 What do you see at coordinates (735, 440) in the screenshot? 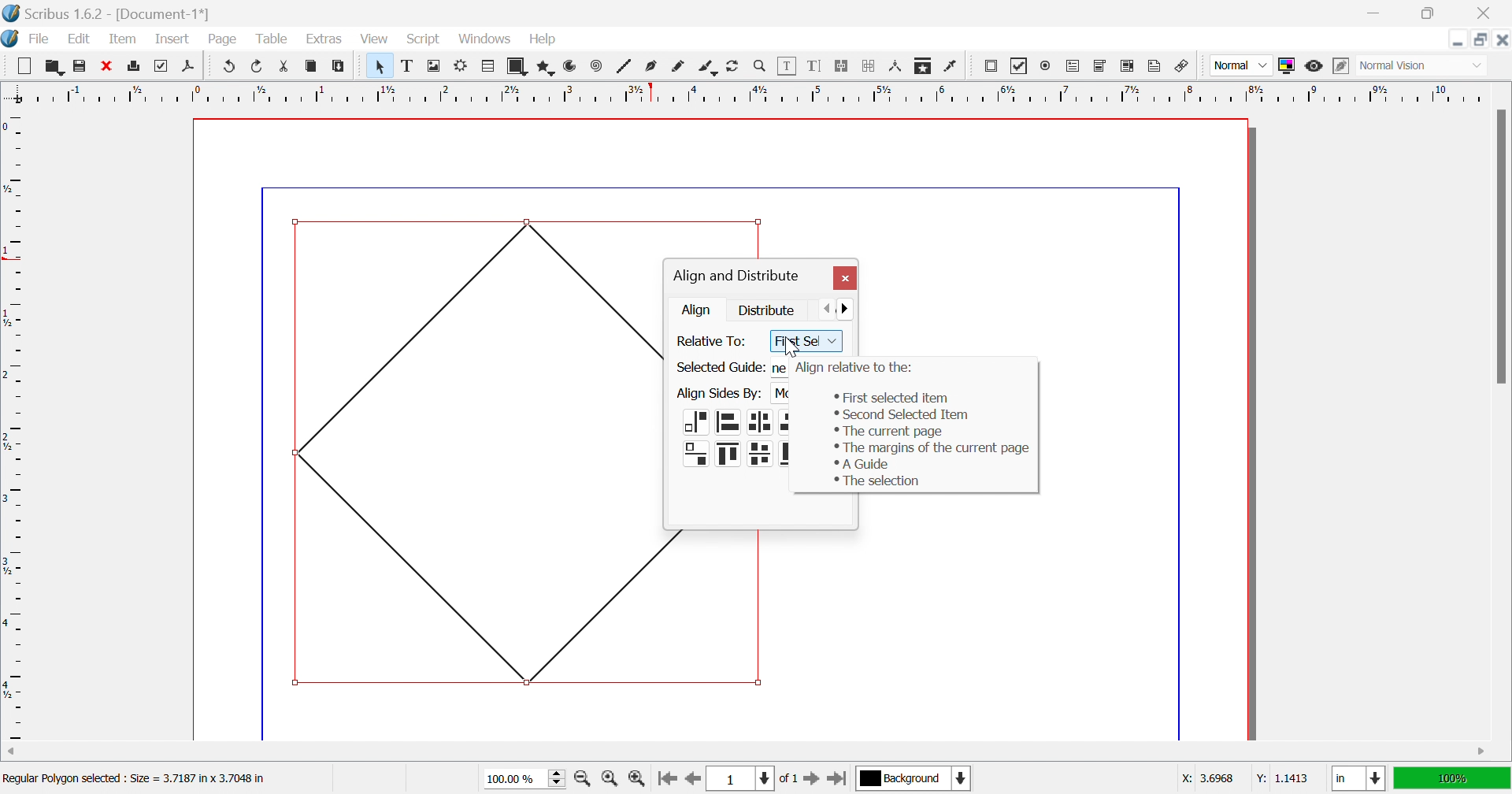
I see `Alignments` at bounding box center [735, 440].